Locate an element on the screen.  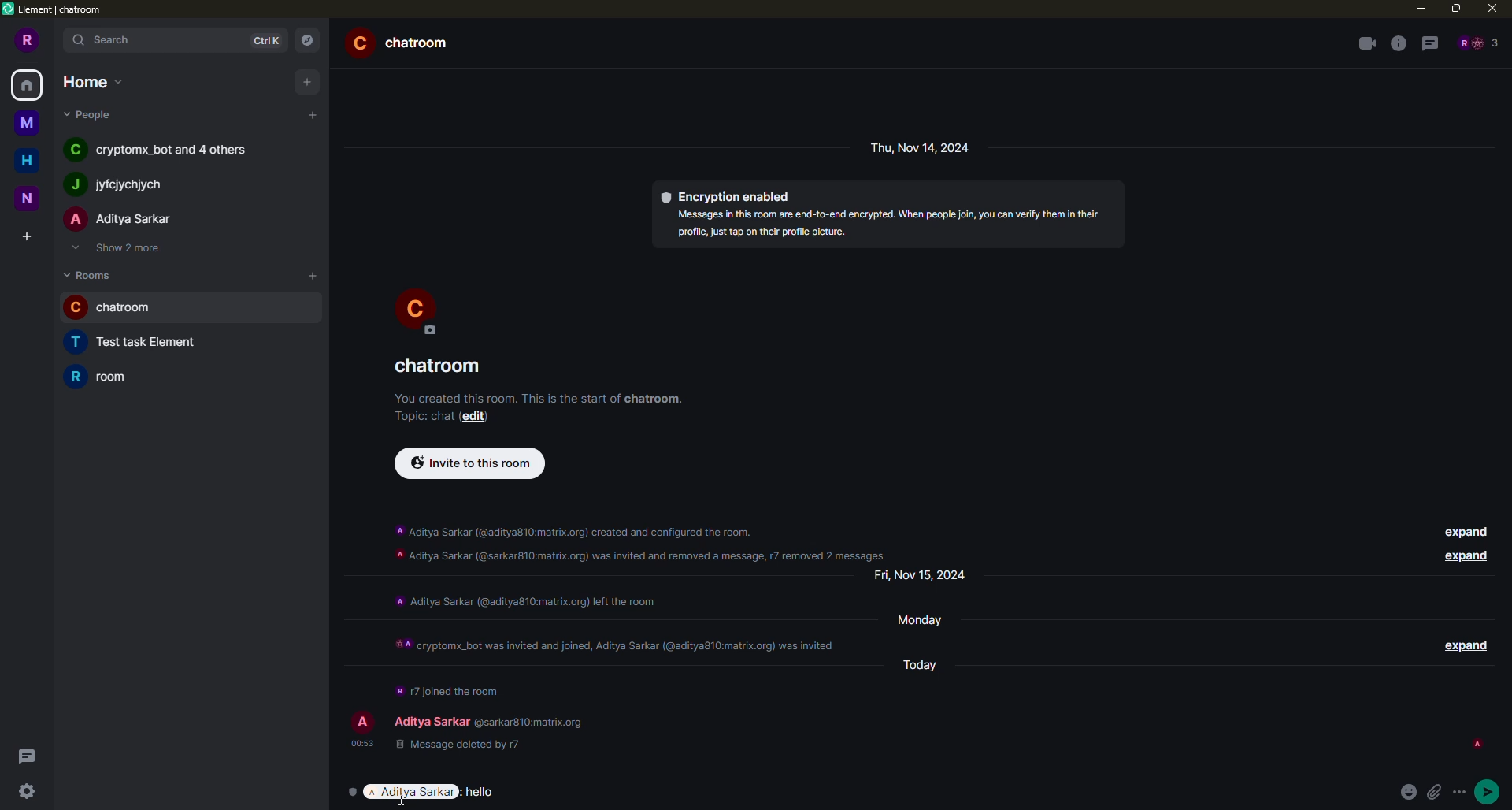
people is located at coordinates (91, 114).